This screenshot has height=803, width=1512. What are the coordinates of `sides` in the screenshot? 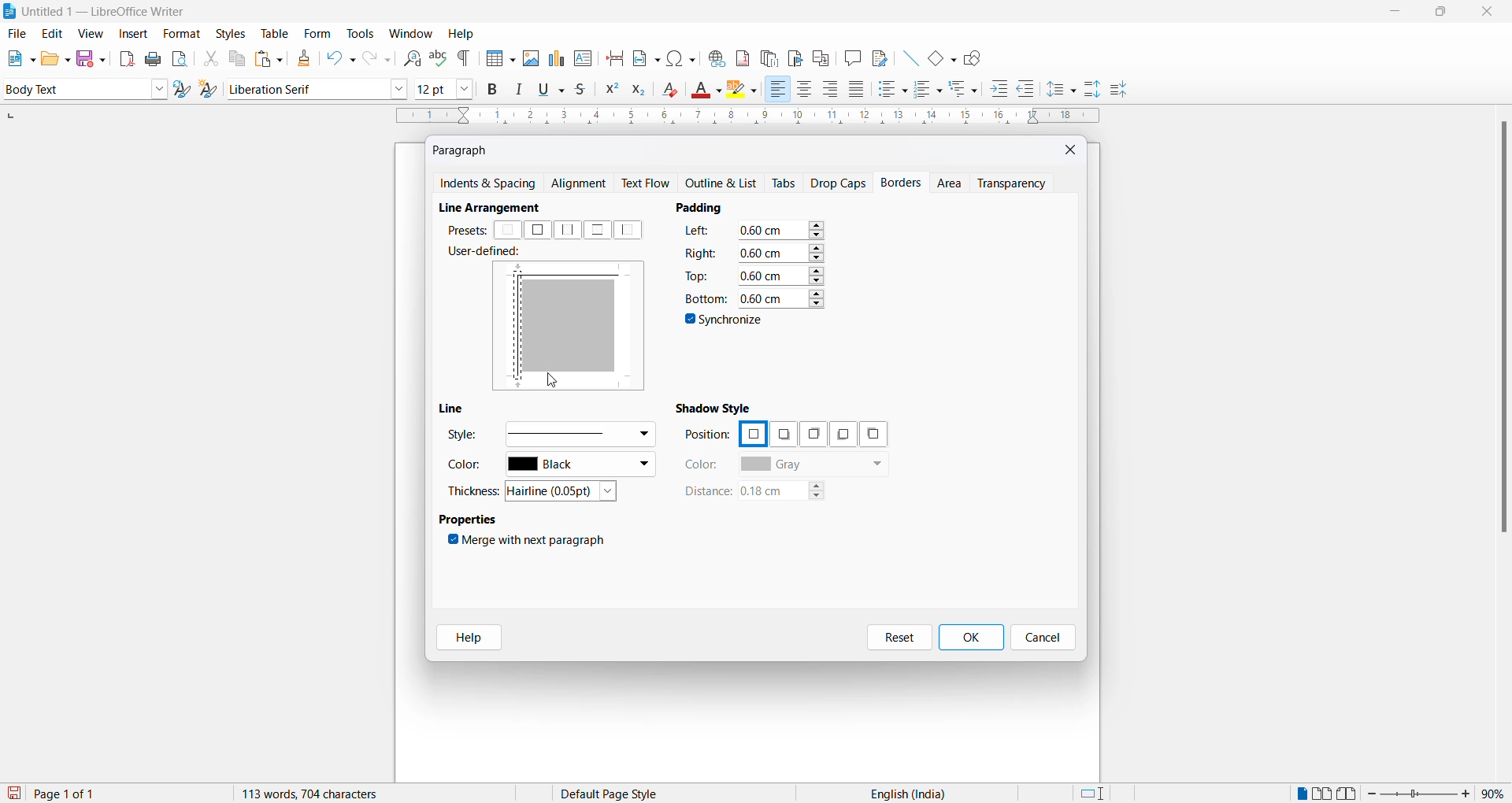 It's located at (701, 233).